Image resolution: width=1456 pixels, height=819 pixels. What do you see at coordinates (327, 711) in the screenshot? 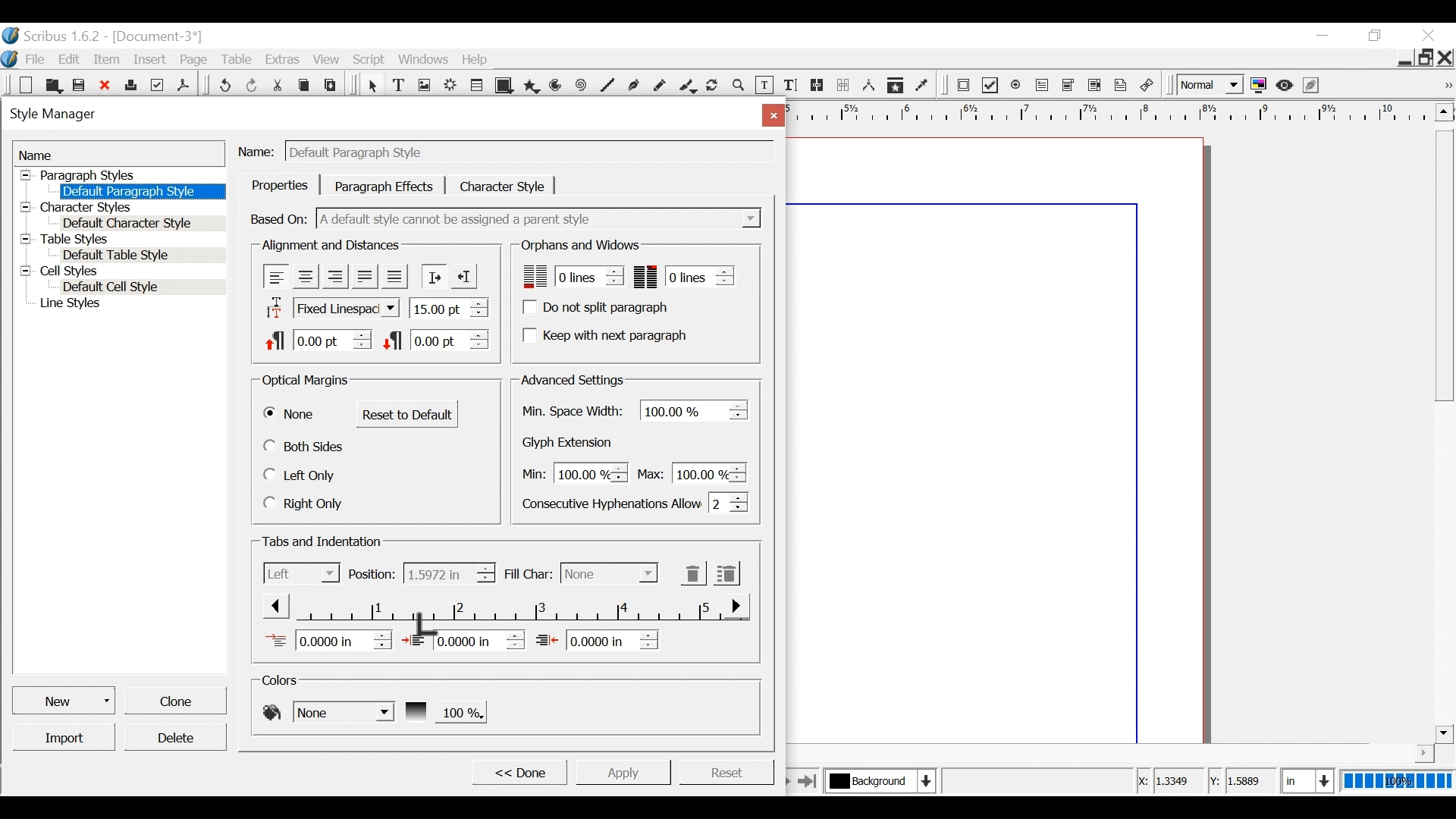
I see `Background color` at bounding box center [327, 711].